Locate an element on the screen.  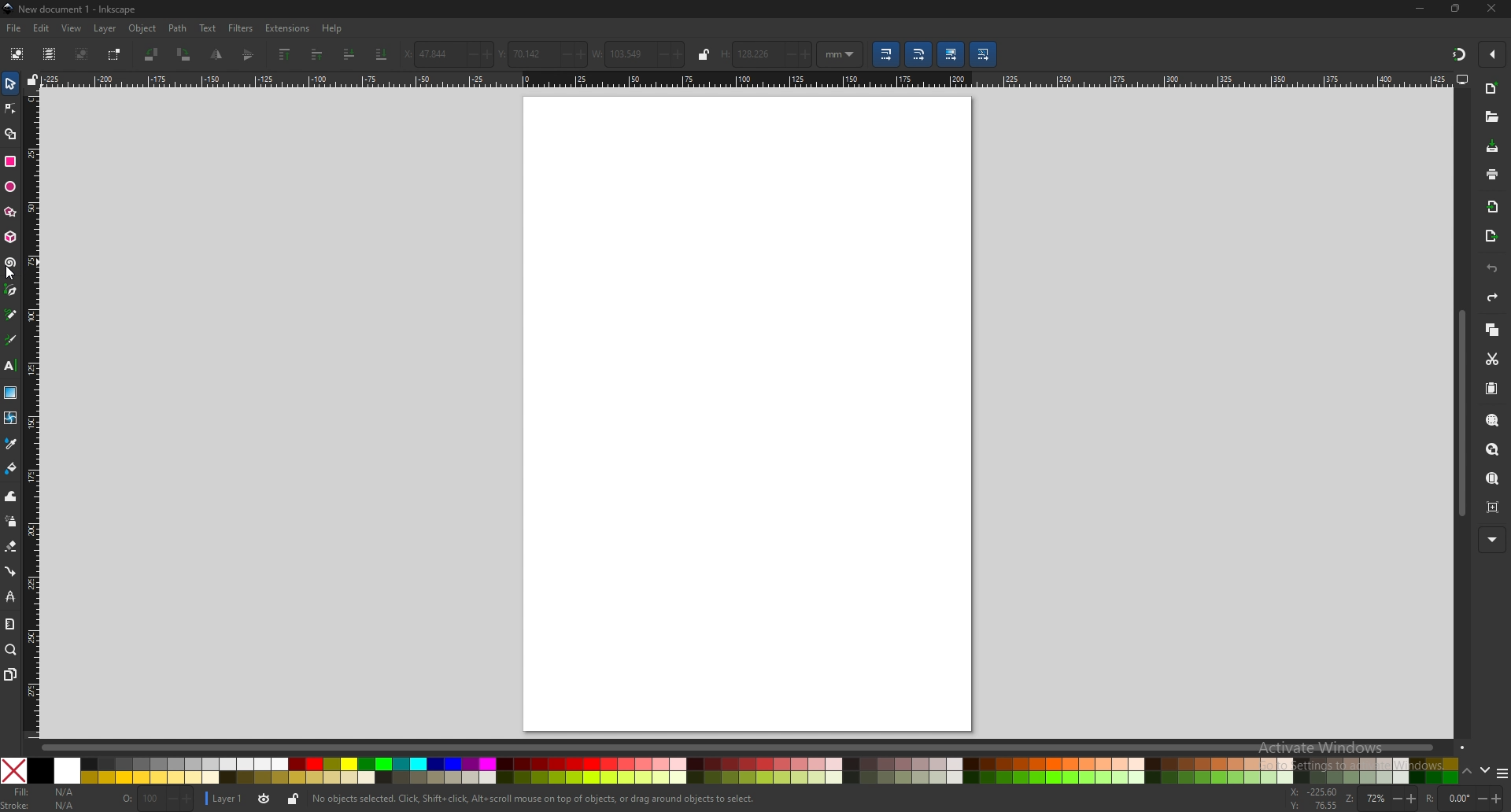
layer is located at coordinates (106, 28).